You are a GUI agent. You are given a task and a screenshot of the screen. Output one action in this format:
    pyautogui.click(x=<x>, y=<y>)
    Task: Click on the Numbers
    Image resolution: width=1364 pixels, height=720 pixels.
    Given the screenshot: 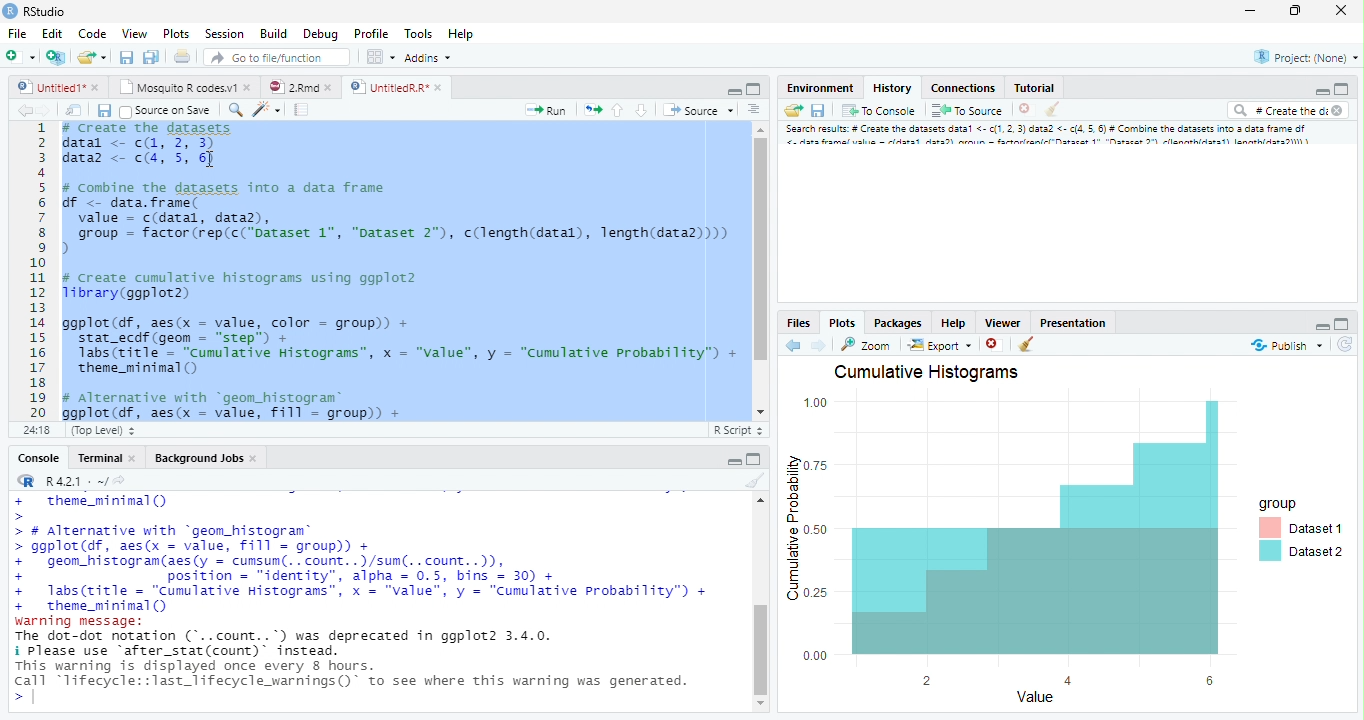 What is the action you would take?
    pyautogui.click(x=40, y=269)
    